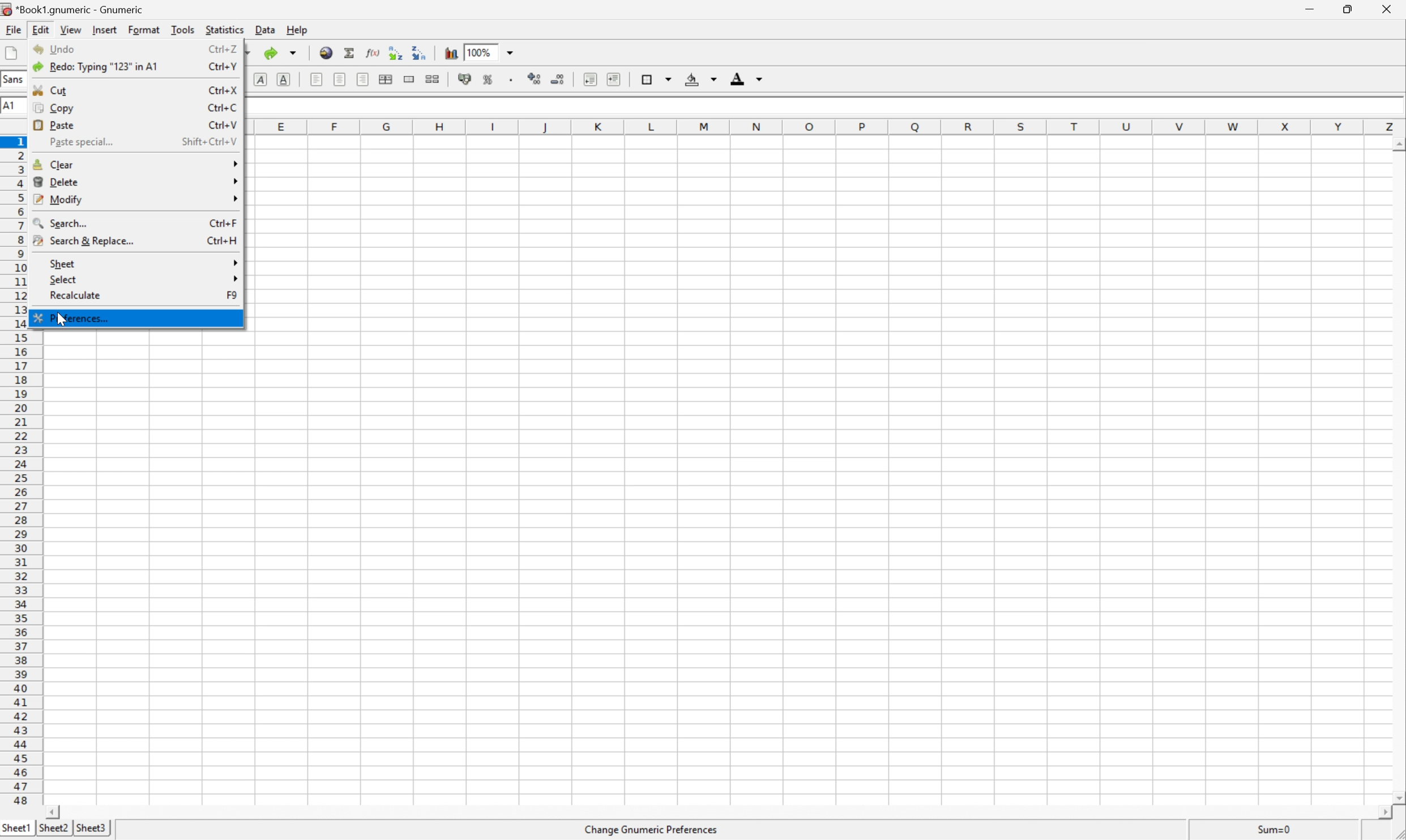 The image size is (1406, 840). What do you see at coordinates (181, 31) in the screenshot?
I see `tools` at bounding box center [181, 31].